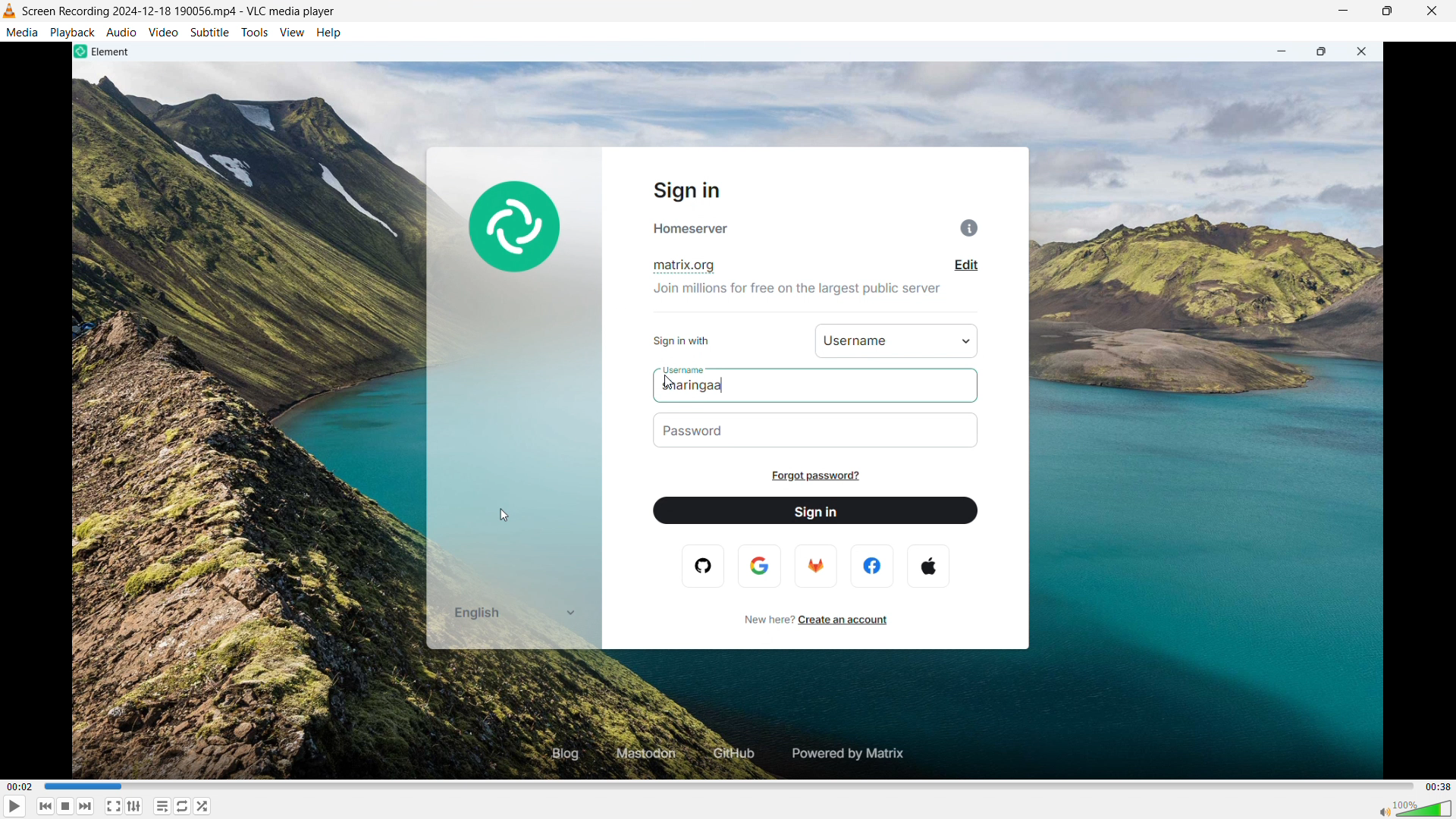 The height and width of the screenshot is (819, 1456). I want to click on powered by matrix, so click(847, 753).